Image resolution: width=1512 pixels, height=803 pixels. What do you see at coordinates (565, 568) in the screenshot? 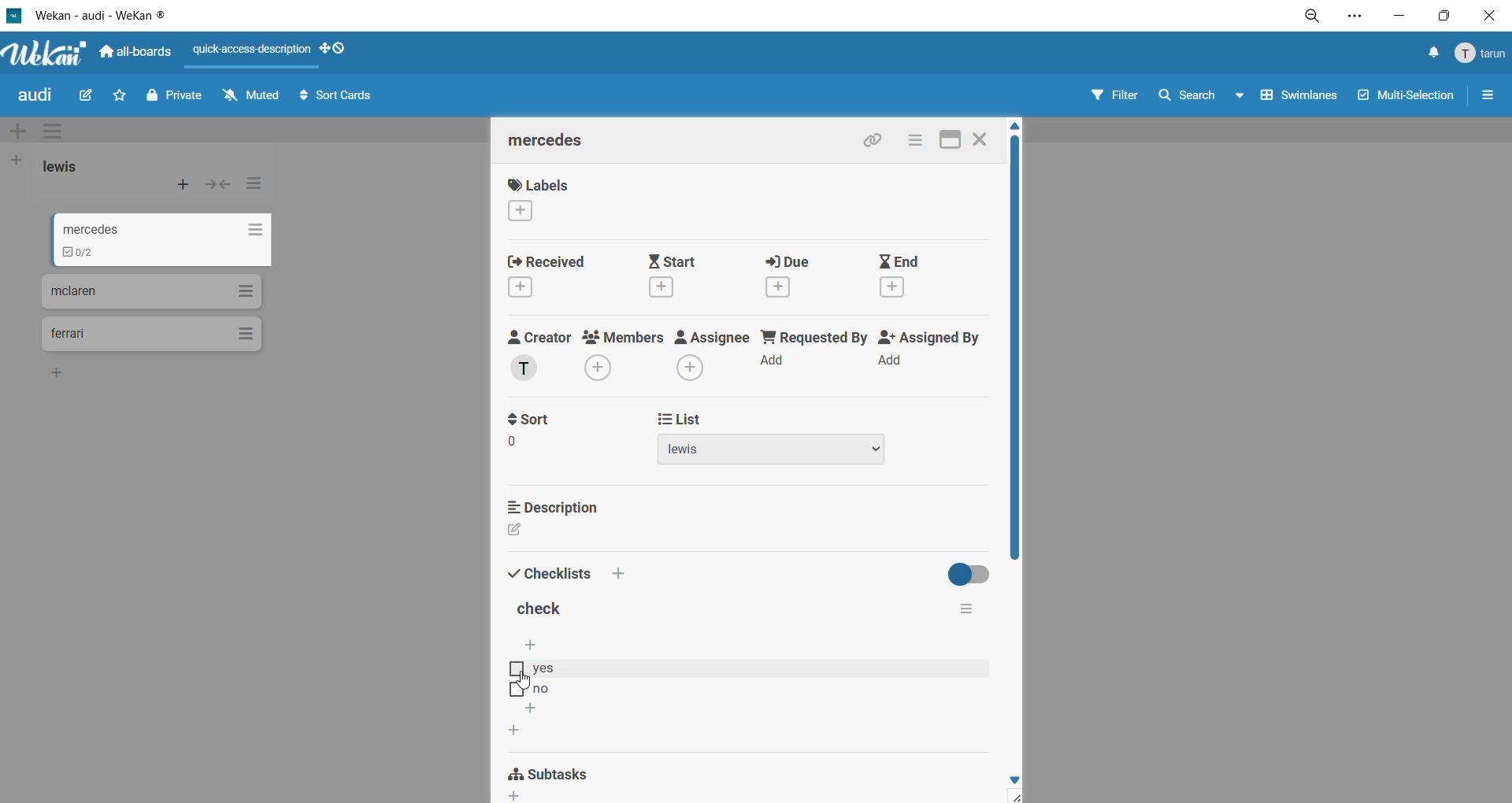
I see `checklists` at bounding box center [565, 568].